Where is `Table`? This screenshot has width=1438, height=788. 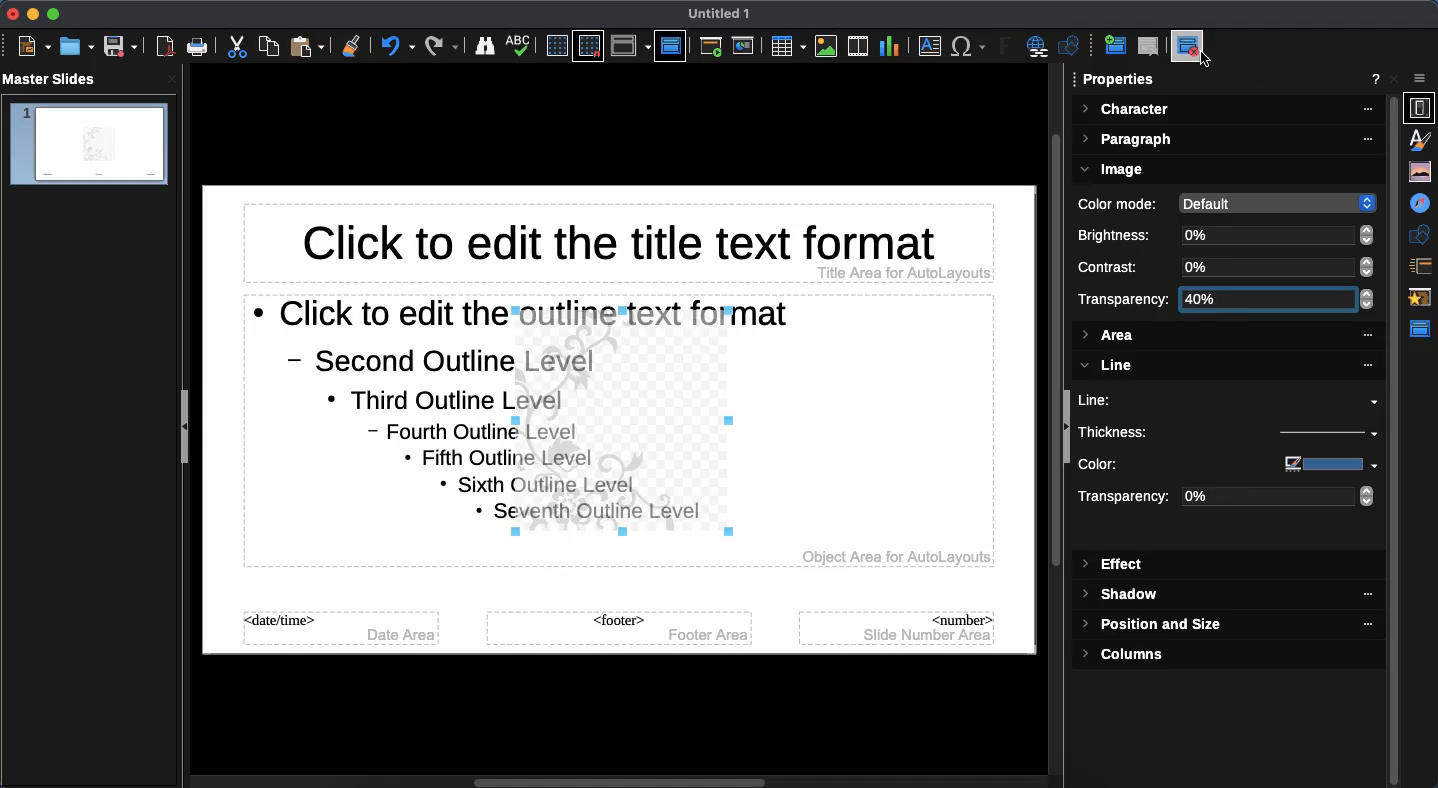 Table is located at coordinates (786, 46).